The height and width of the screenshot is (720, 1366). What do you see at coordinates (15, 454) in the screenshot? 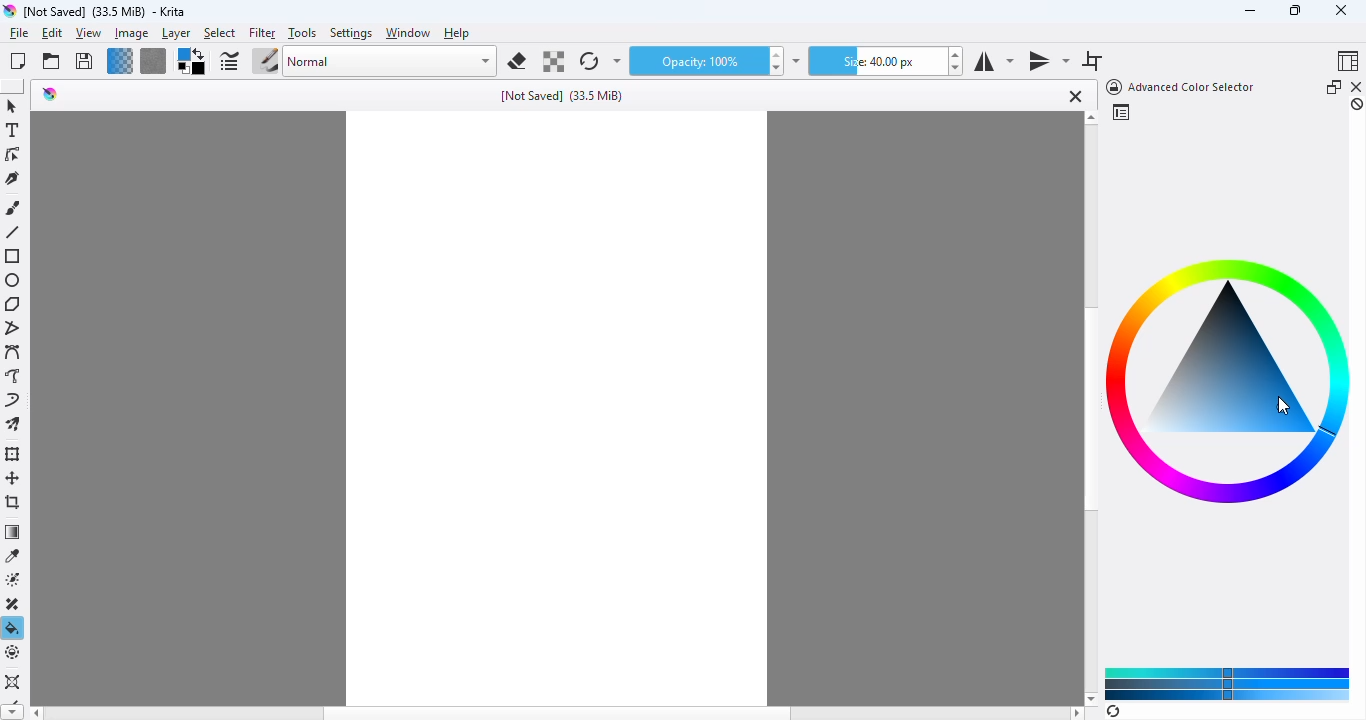
I see `transform a layer or a selection` at bounding box center [15, 454].